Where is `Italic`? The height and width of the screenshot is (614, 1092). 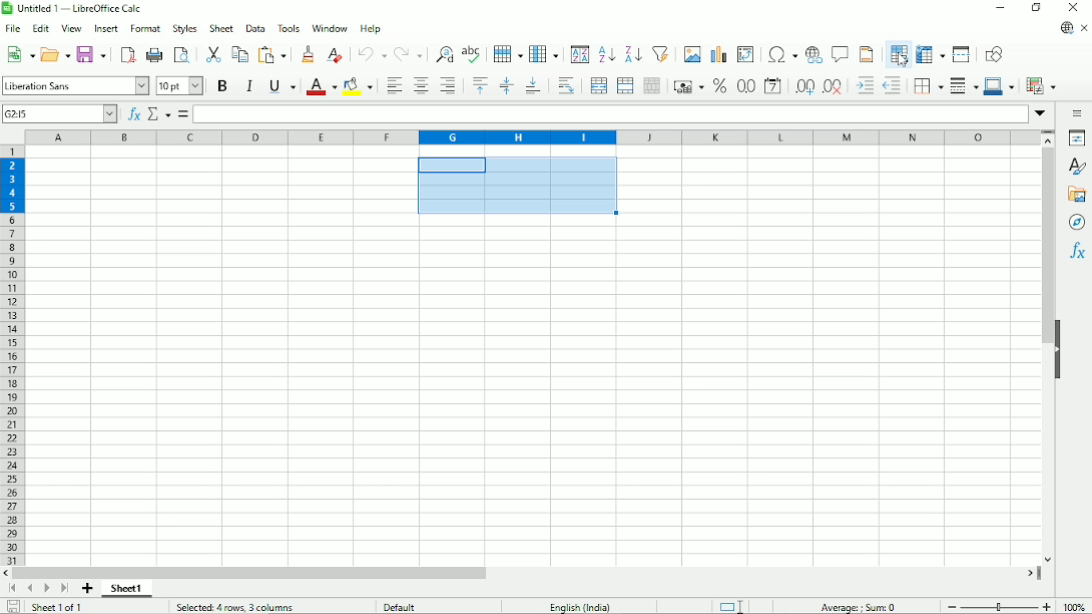
Italic is located at coordinates (249, 86).